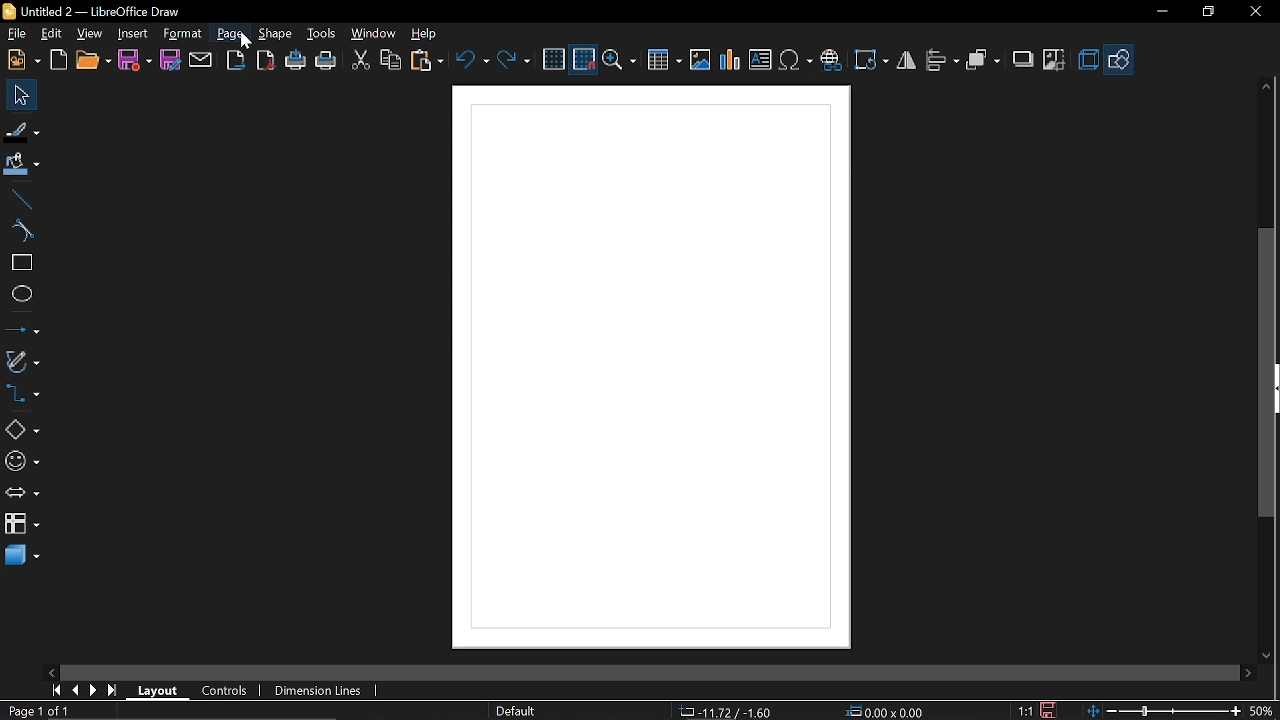 The height and width of the screenshot is (720, 1280). What do you see at coordinates (22, 556) in the screenshot?
I see `3d shapes` at bounding box center [22, 556].